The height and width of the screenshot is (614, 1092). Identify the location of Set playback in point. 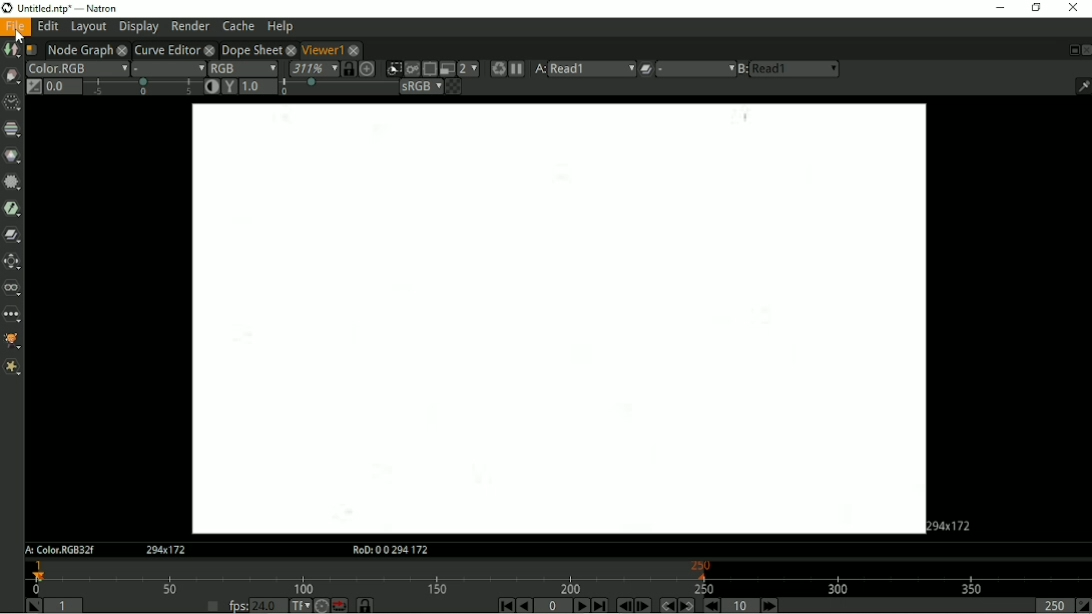
(33, 605).